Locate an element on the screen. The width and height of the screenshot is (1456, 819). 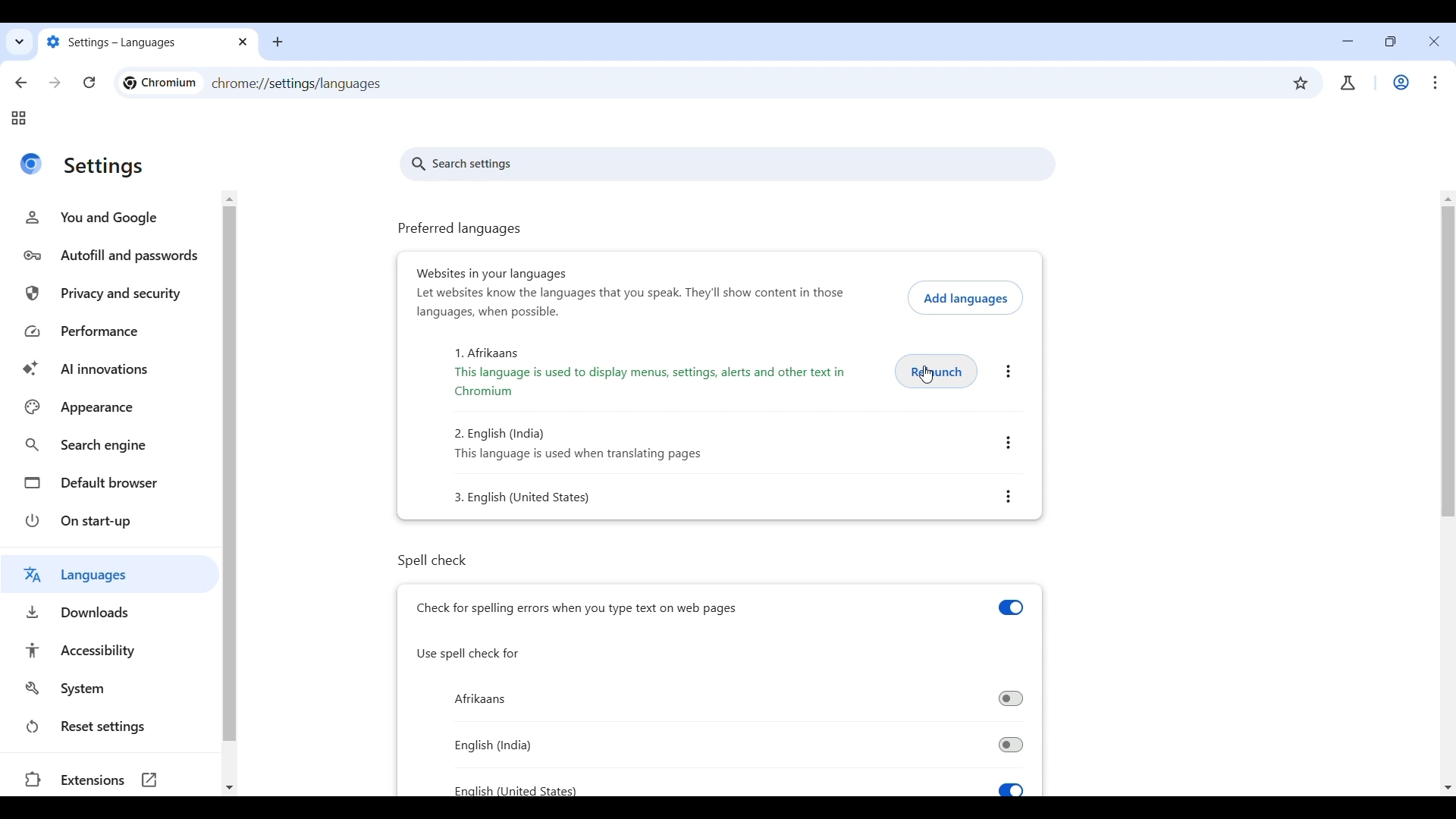
cursor is located at coordinates (924, 378).